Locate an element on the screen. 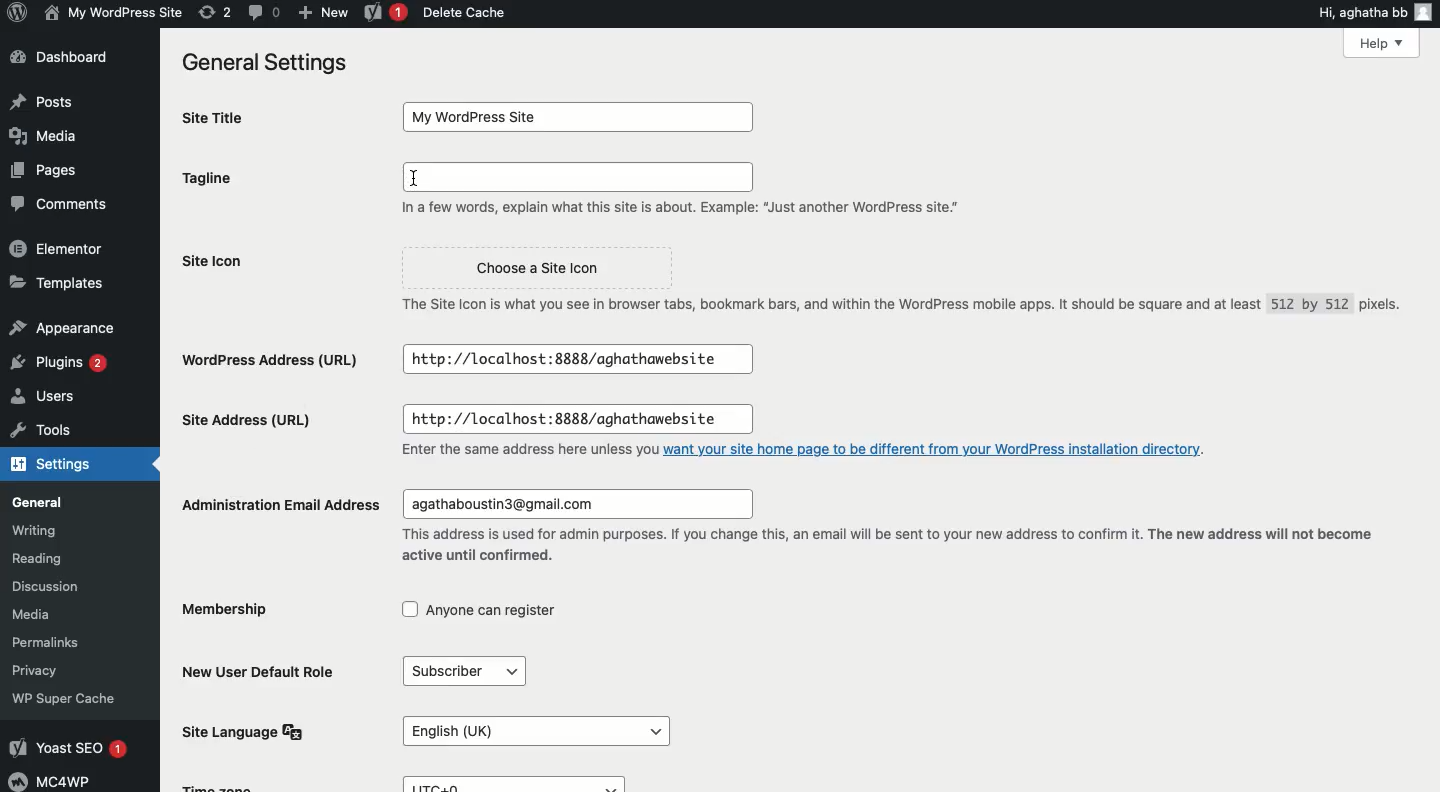 This screenshot has width=1440, height=792. Subscriber is located at coordinates (462, 669).